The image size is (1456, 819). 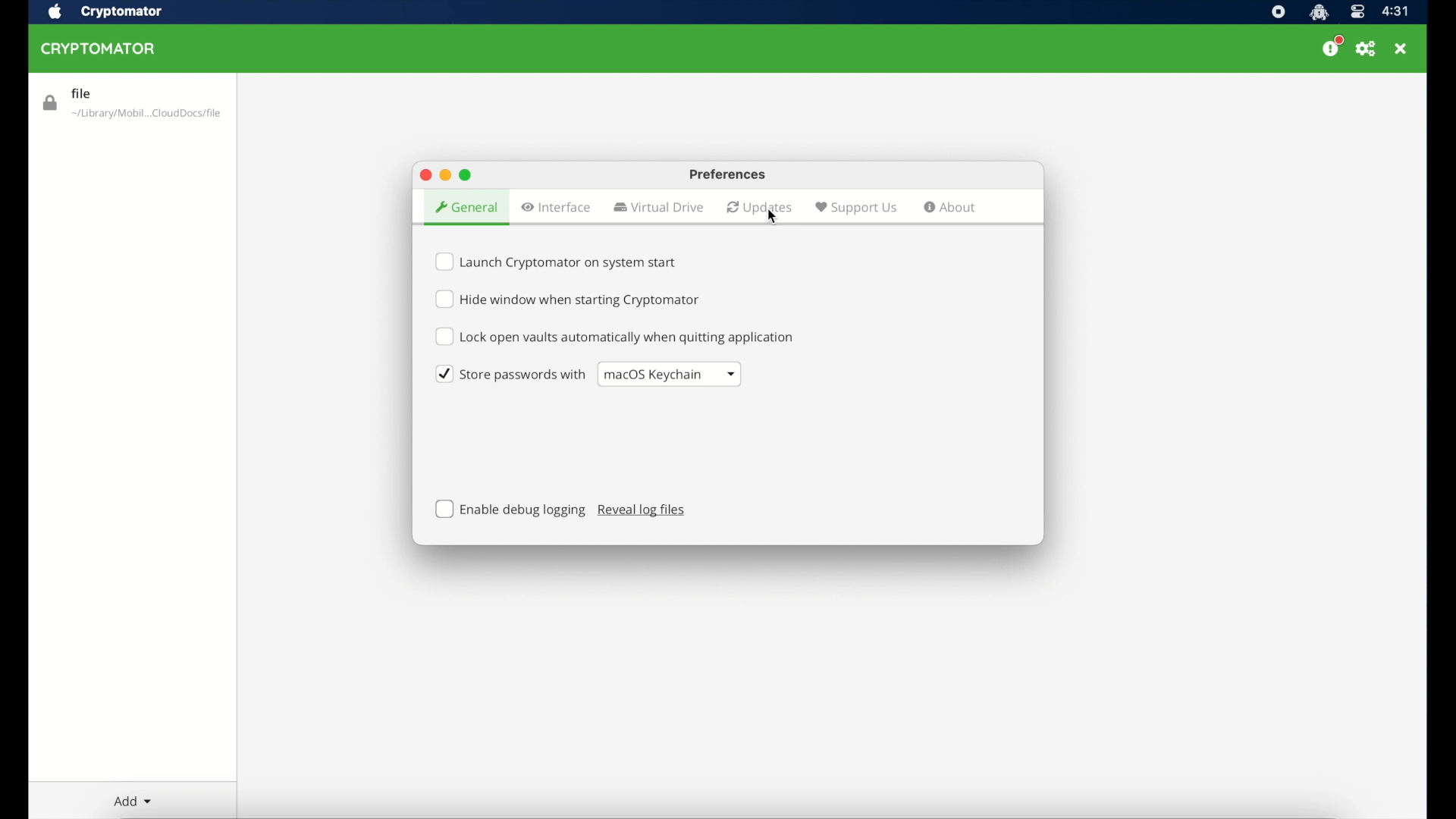 What do you see at coordinates (466, 207) in the screenshot?
I see `general` at bounding box center [466, 207].